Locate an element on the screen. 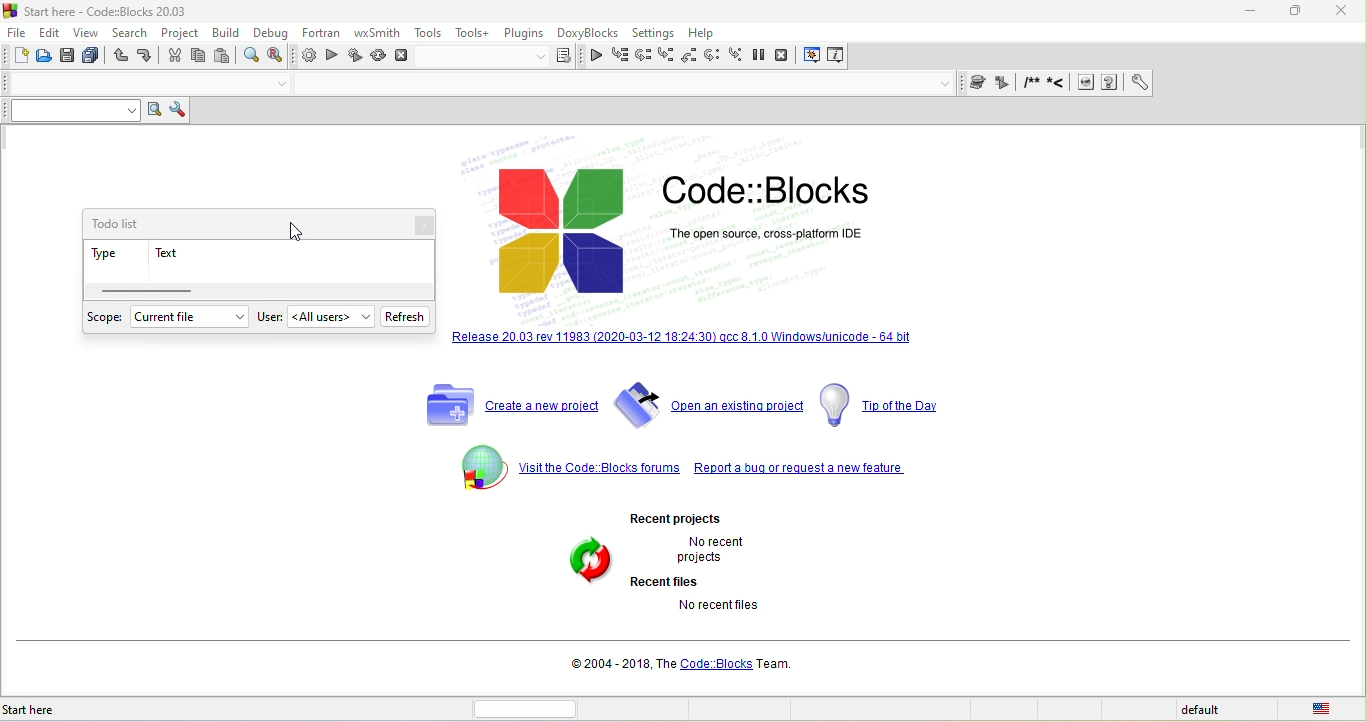 Image resolution: width=1366 pixels, height=722 pixels. next line is located at coordinates (642, 55).